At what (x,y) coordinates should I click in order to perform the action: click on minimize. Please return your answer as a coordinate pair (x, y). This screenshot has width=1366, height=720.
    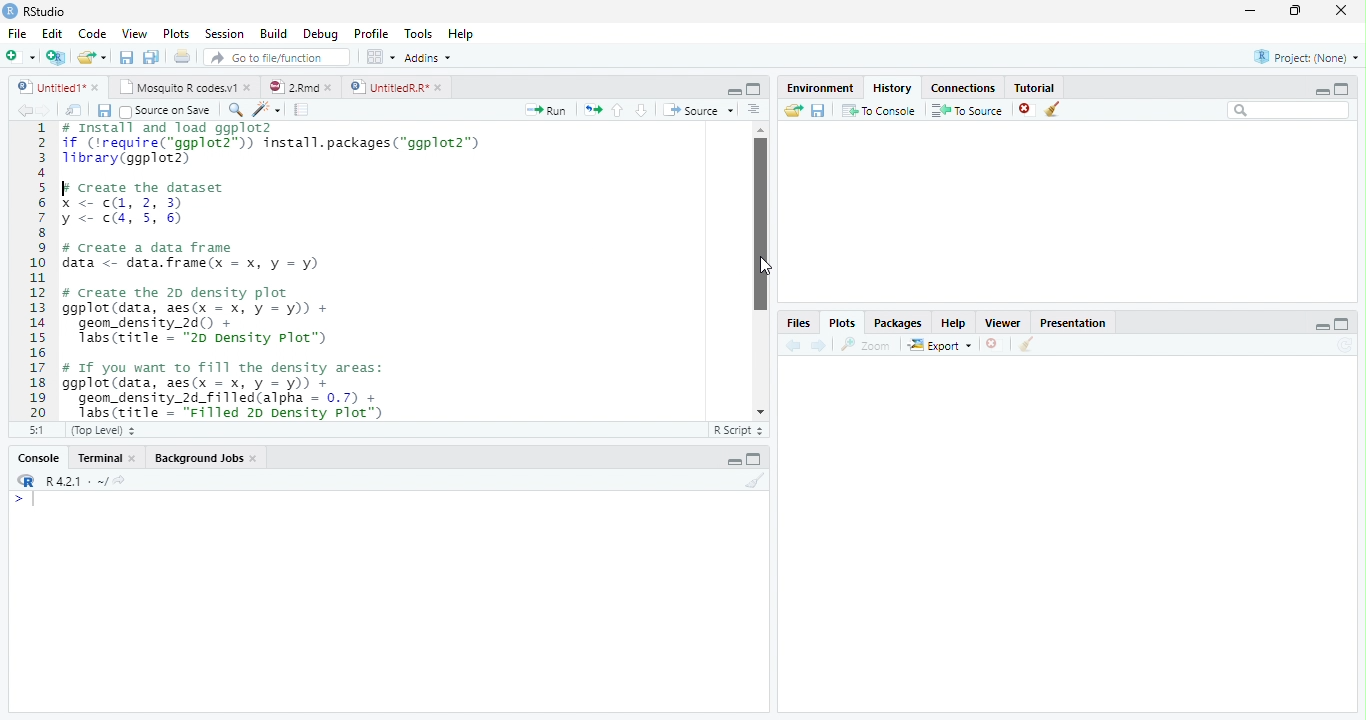
    Looking at the image, I should click on (1323, 326).